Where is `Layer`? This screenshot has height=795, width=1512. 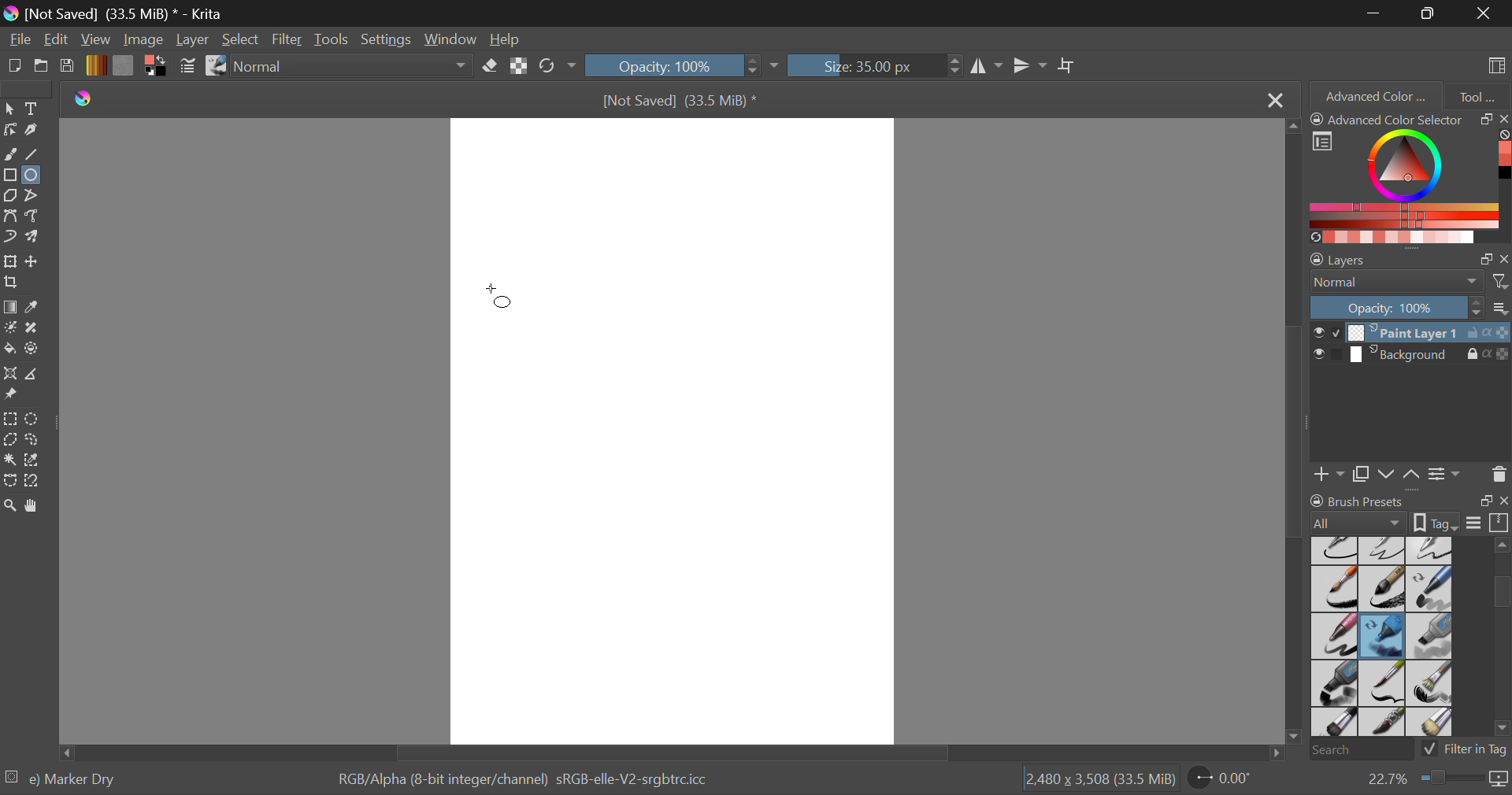 Layer is located at coordinates (192, 39).